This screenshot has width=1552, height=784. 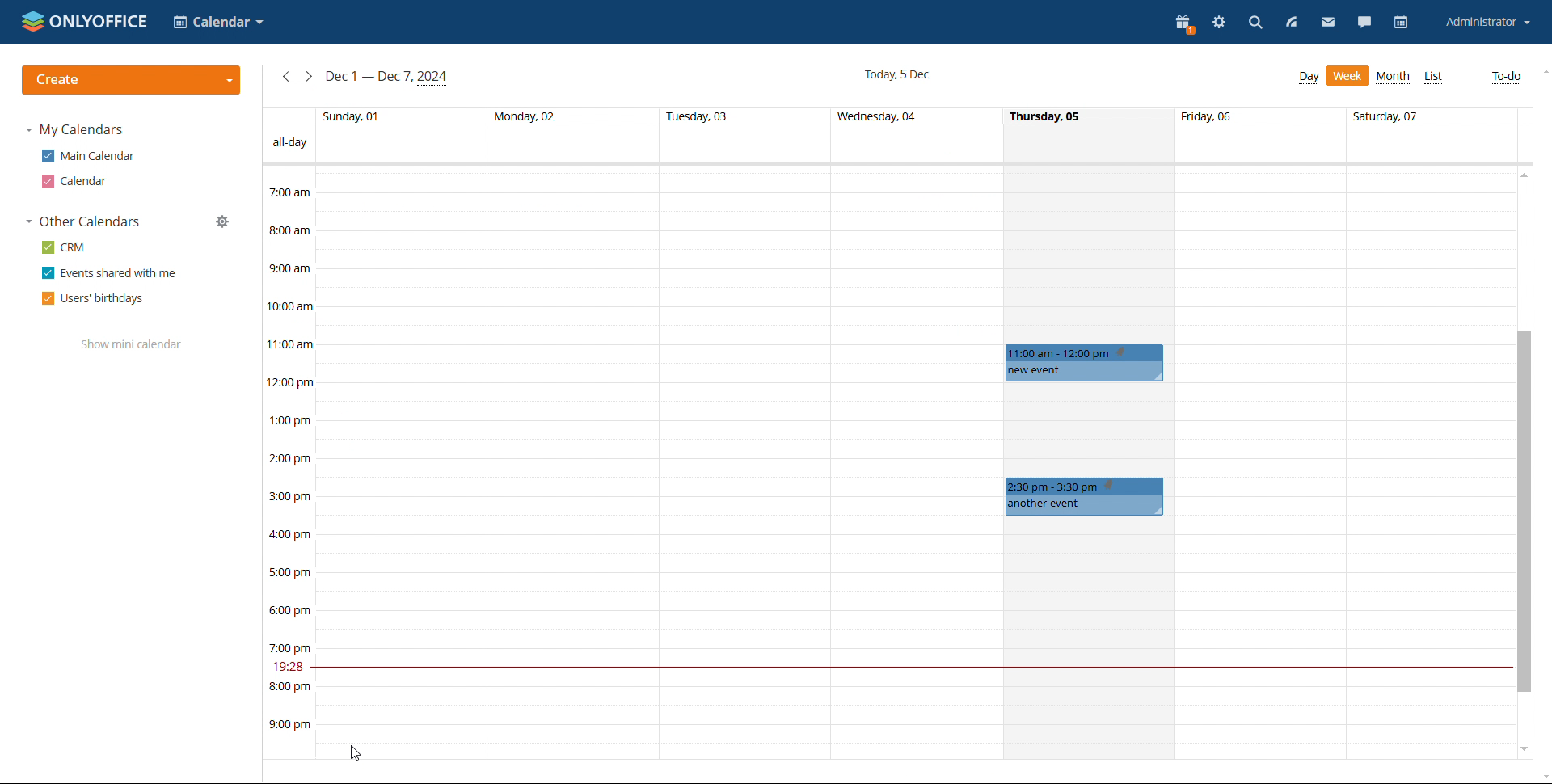 What do you see at coordinates (289, 611) in the screenshot?
I see `6:00 pm` at bounding box center [289, 611].